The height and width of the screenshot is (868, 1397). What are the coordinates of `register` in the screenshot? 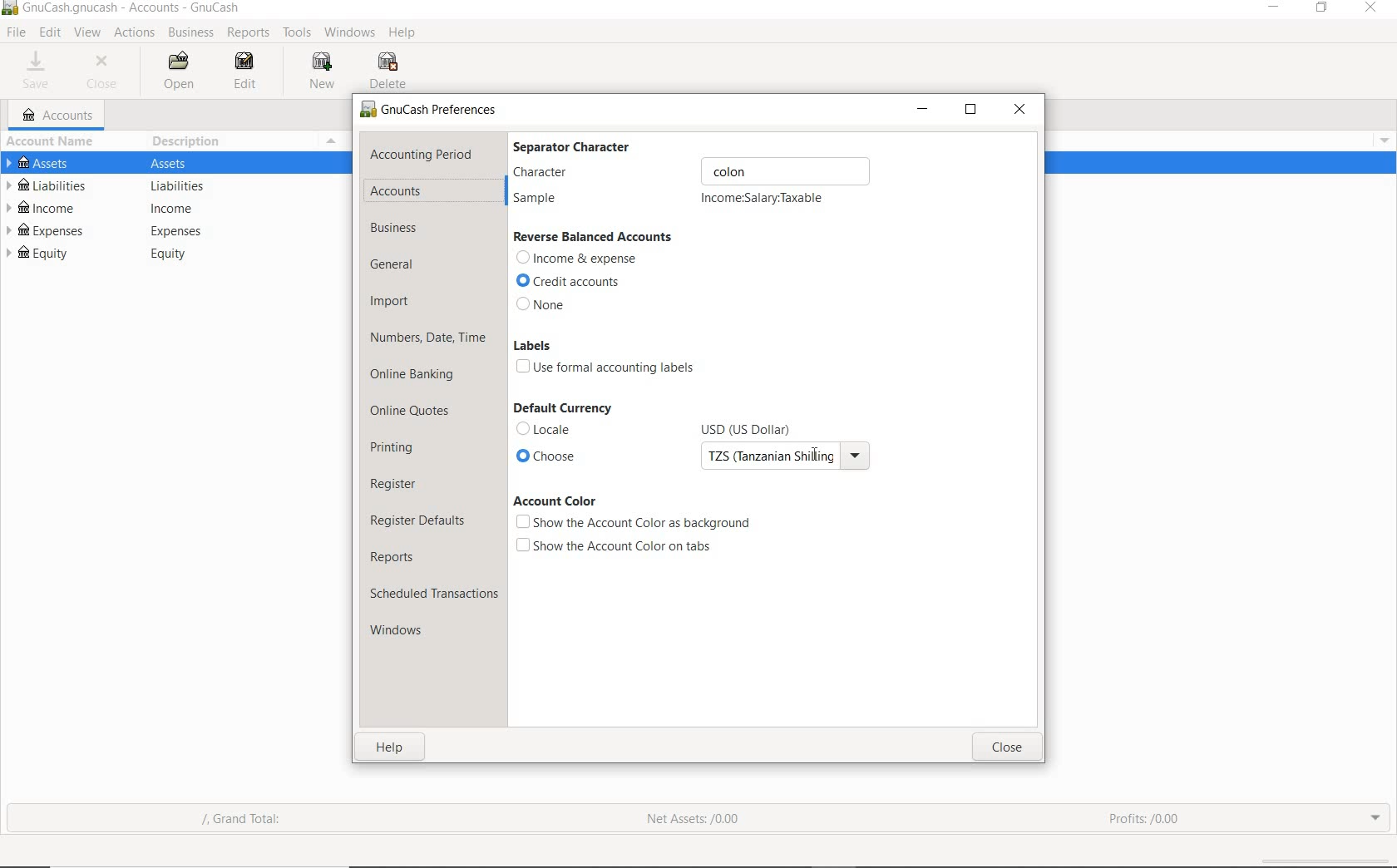 It's located at (395, 483).